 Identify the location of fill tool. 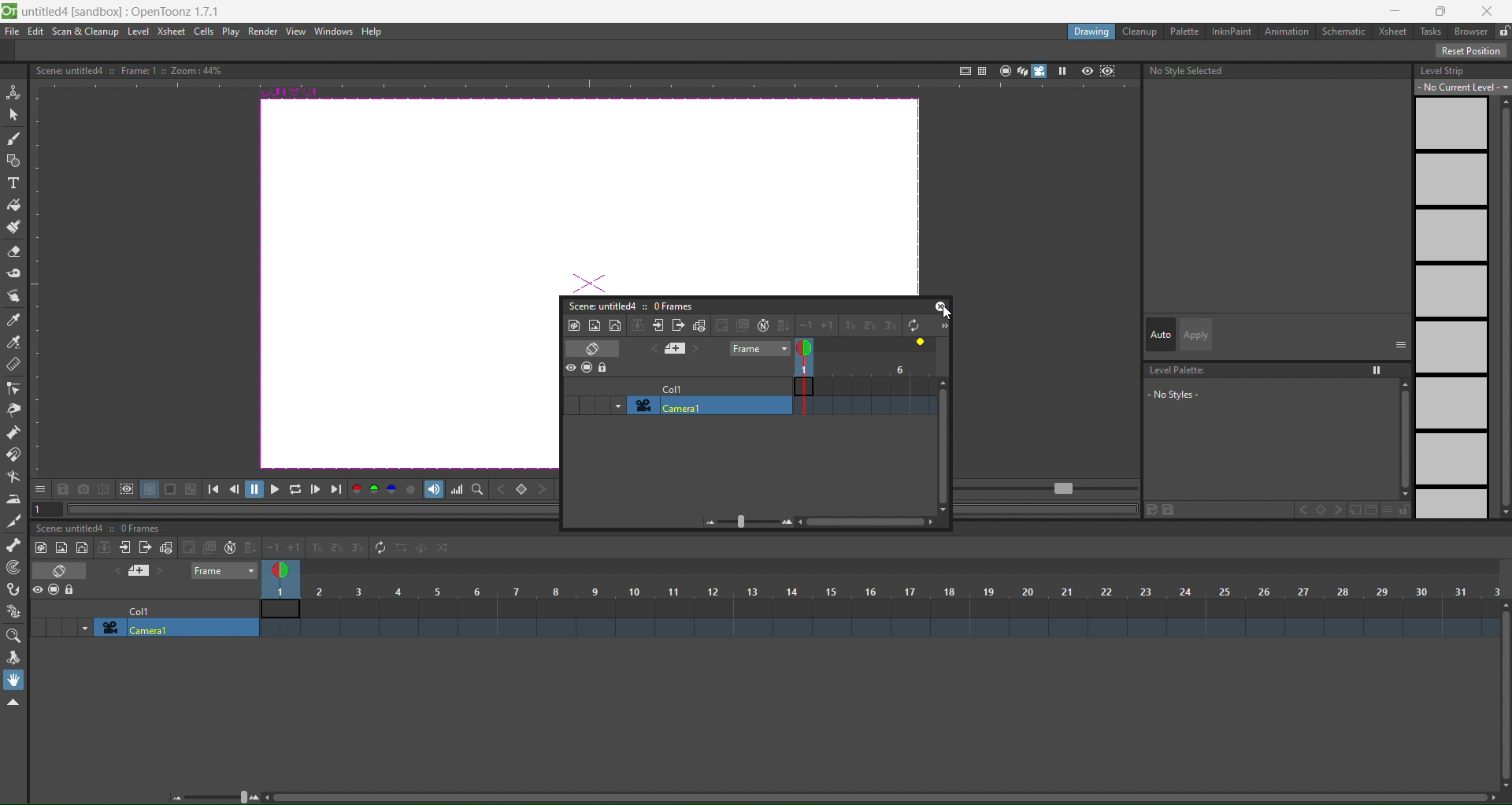
(13, 206).